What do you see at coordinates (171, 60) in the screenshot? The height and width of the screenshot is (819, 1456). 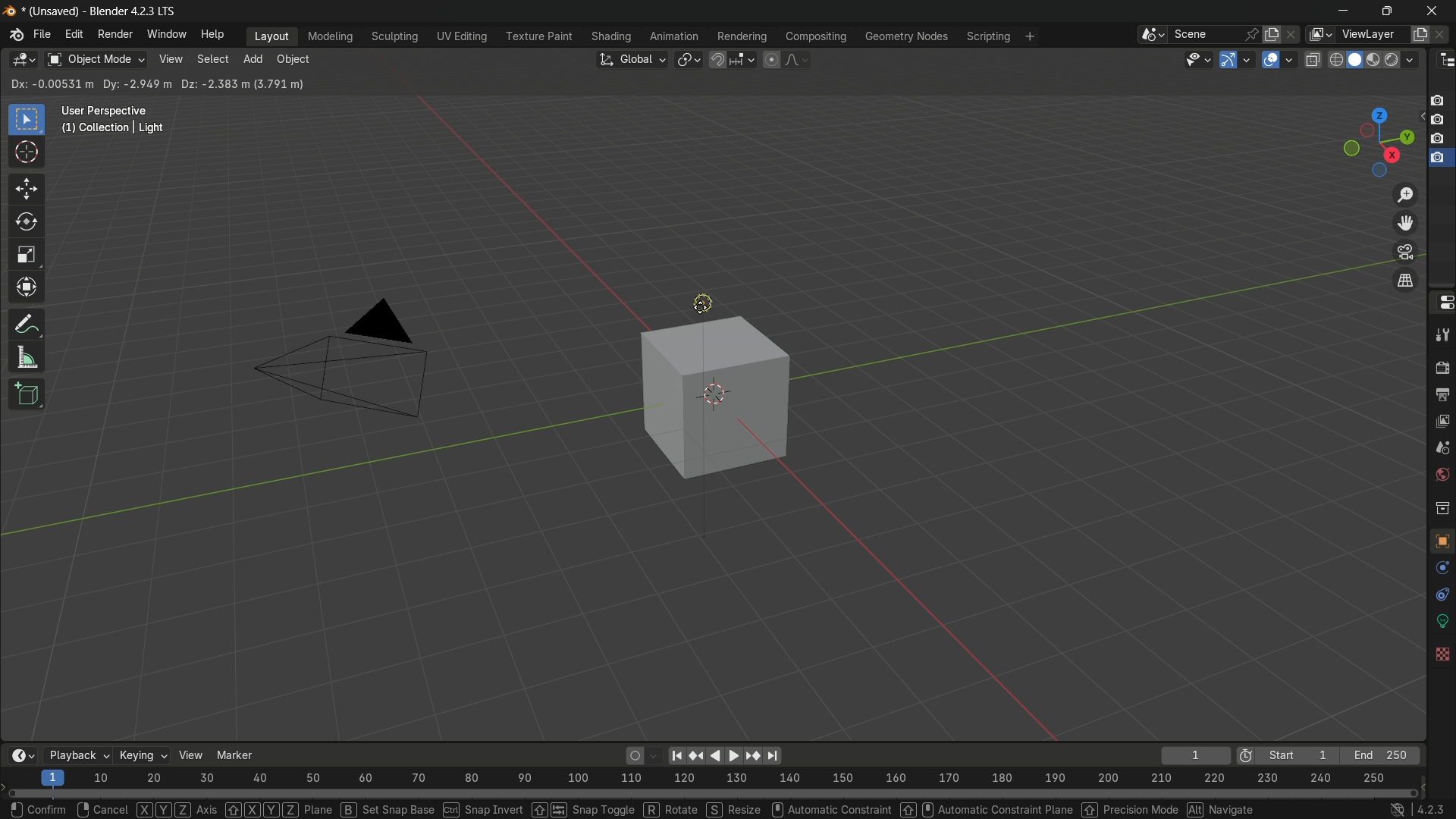 I see `view` at bounding box center [171, 60].